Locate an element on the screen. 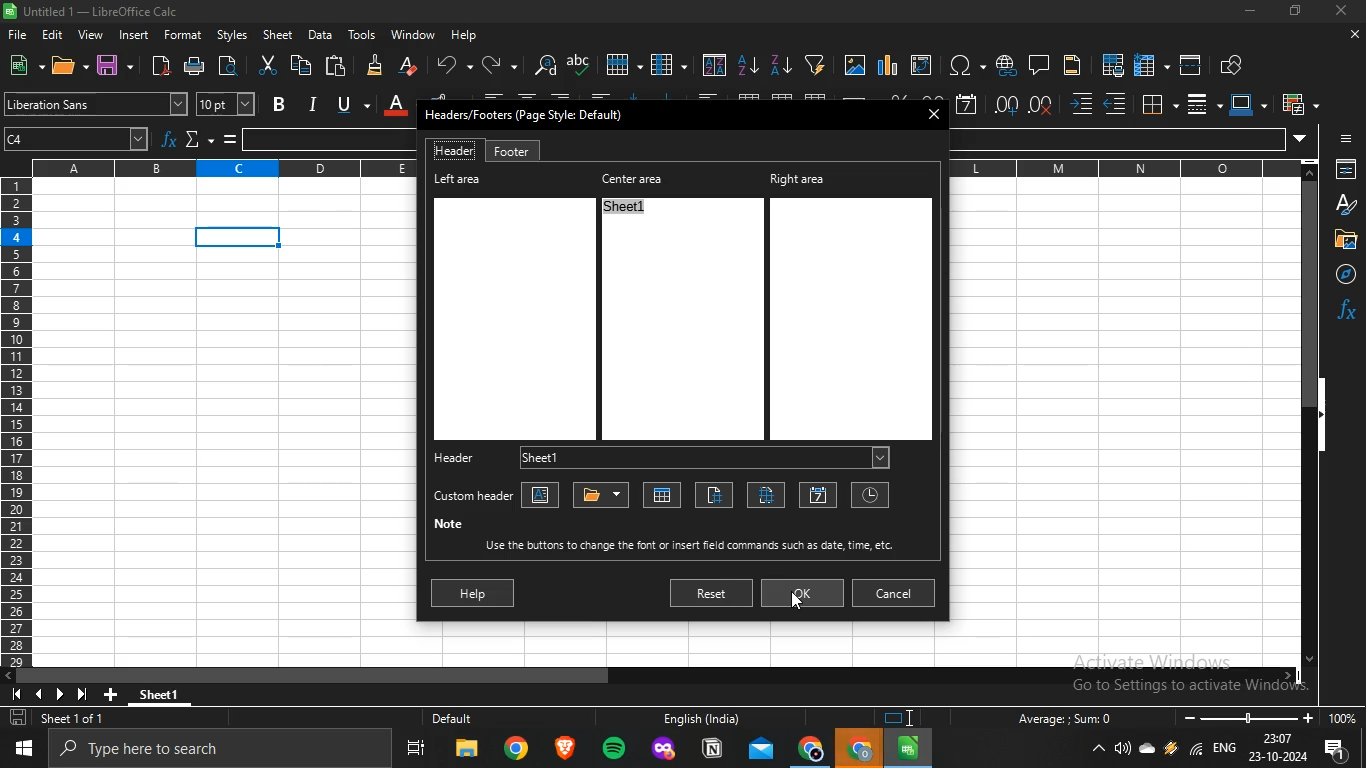 The height and width of the screenshot is (768, 1366). sheet name is located at coordinates (663, 494).